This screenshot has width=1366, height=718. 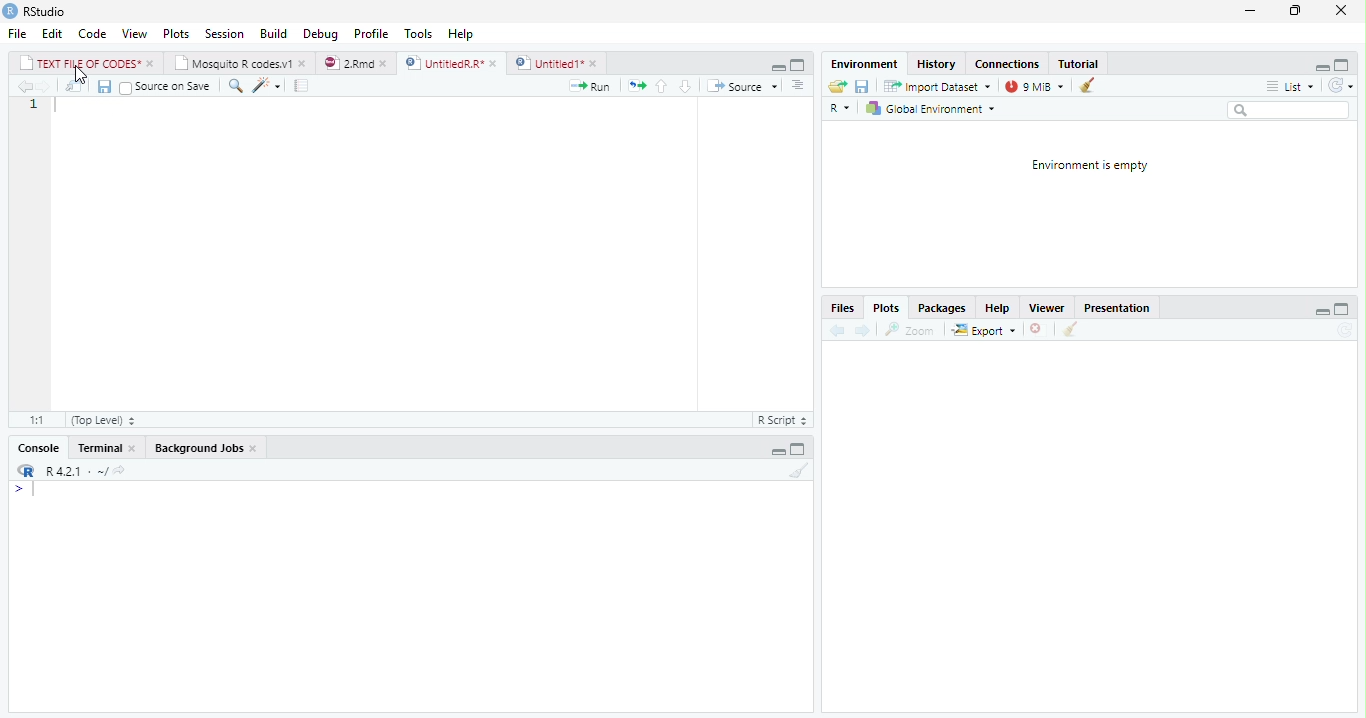 What do you see at coordinates (1080, 63) in the screenshot?
I see `Tutorial` at bounding box center [1080, 63].